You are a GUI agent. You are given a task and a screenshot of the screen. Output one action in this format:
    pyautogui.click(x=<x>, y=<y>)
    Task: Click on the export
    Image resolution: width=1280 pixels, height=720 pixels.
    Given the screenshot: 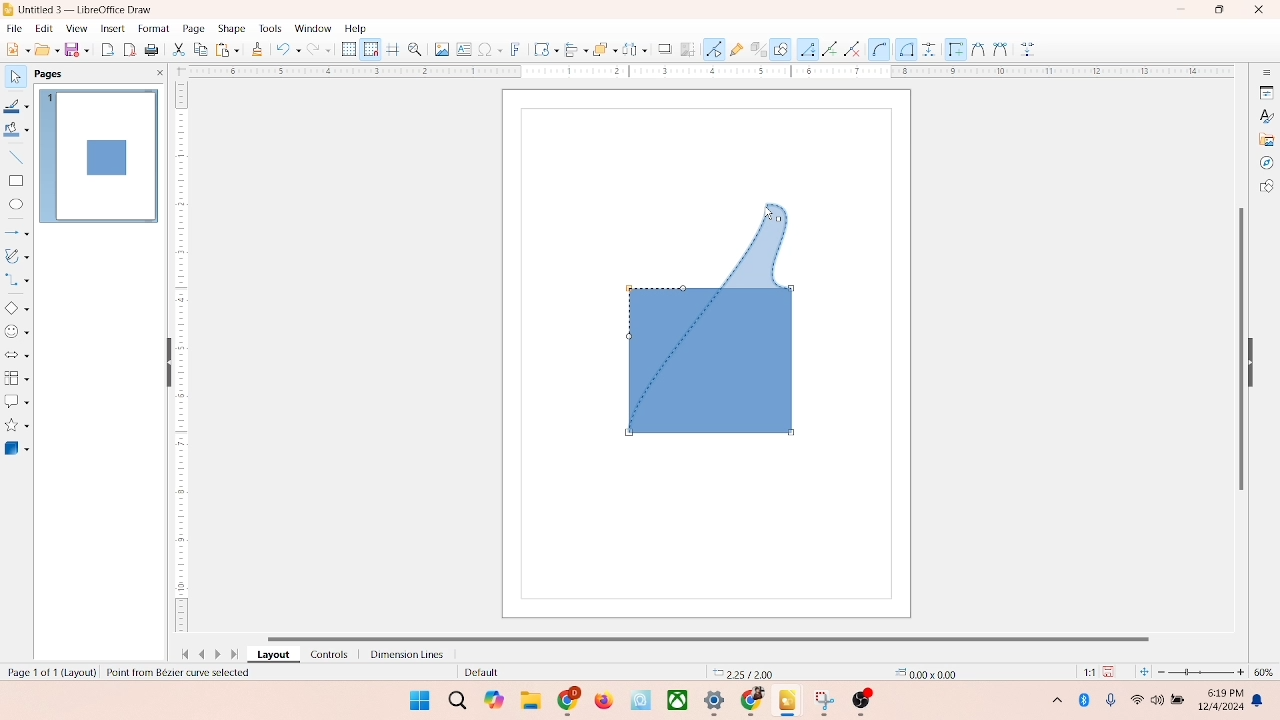 What is the action you would take?
    pyautogui.click(x=110, y=48)
    